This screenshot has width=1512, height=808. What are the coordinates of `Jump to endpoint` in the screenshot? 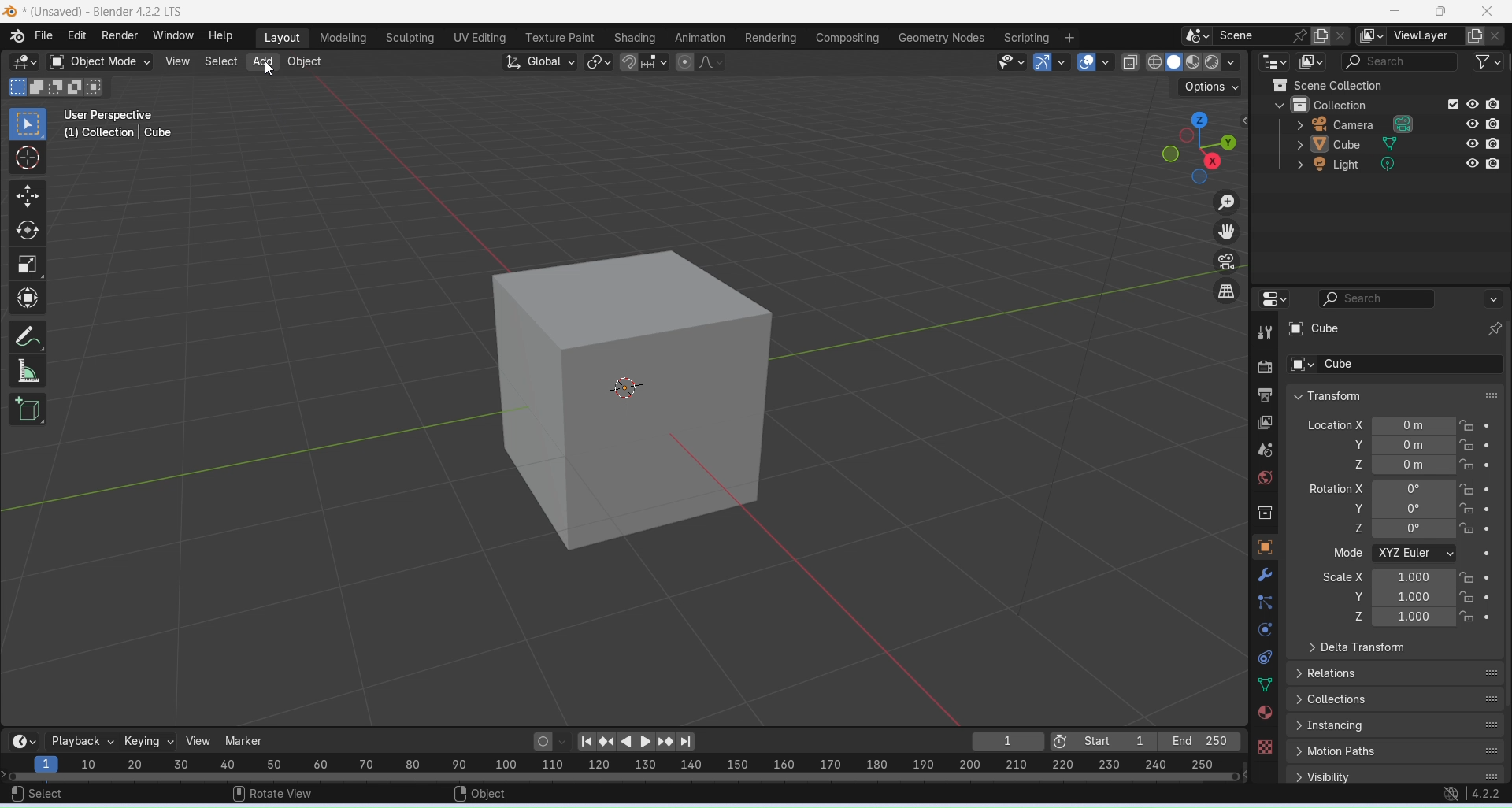 It's located at (691, 742).